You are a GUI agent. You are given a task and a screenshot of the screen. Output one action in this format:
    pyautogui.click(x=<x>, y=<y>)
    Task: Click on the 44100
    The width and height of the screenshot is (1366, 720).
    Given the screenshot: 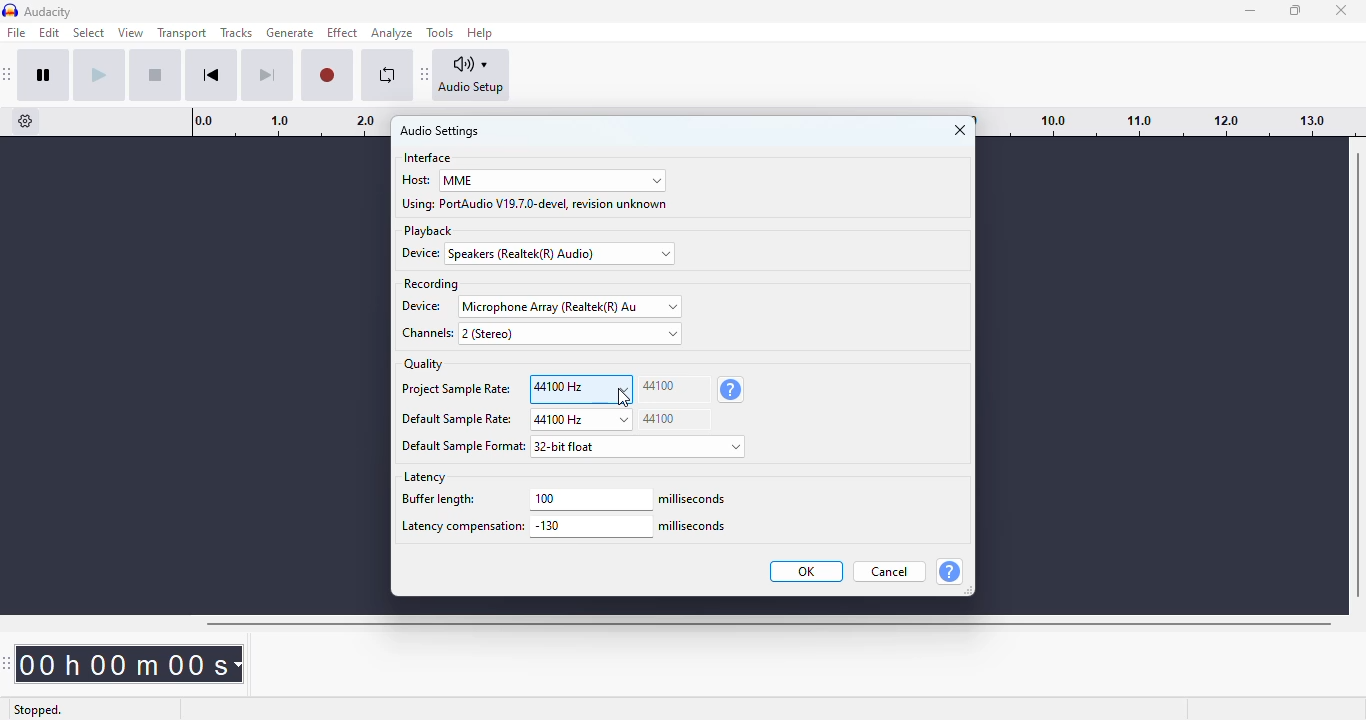 What is the action you would take?
    pyautogui.click(x=674, y=419)
    